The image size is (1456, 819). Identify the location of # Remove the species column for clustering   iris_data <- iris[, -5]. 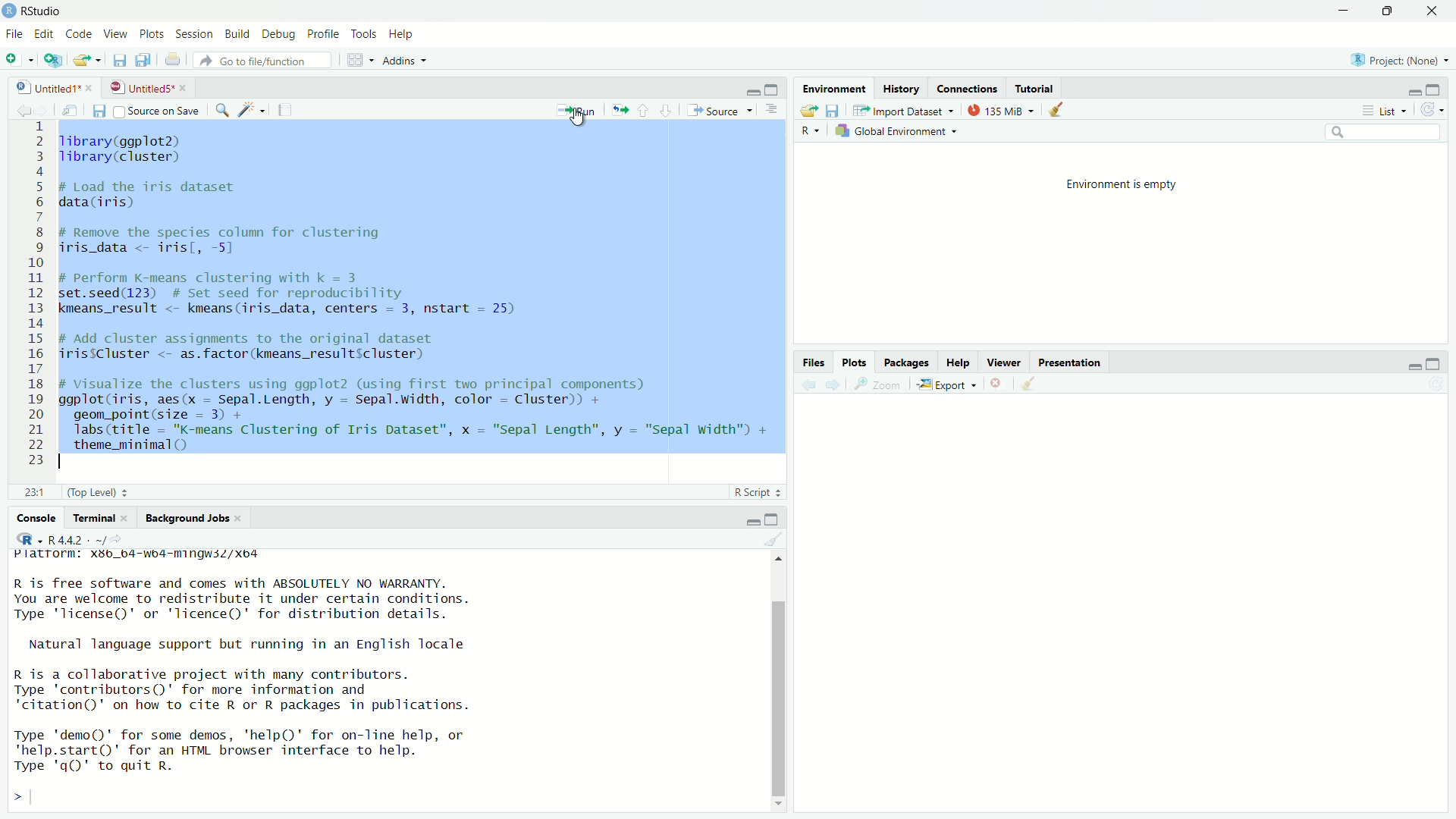
(243, 240).